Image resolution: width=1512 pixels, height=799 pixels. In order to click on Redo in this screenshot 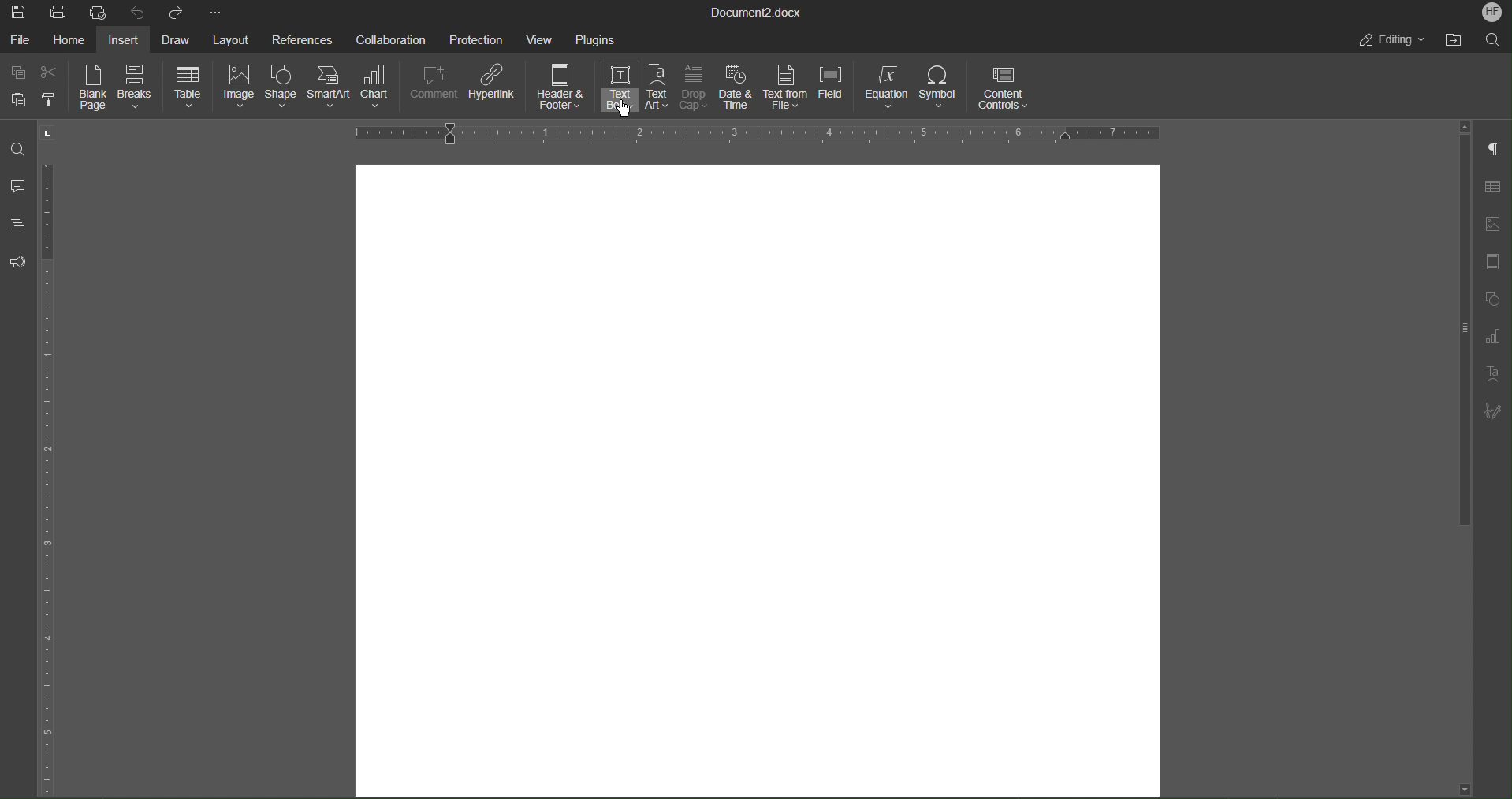, I will do `click(172, 12)`.